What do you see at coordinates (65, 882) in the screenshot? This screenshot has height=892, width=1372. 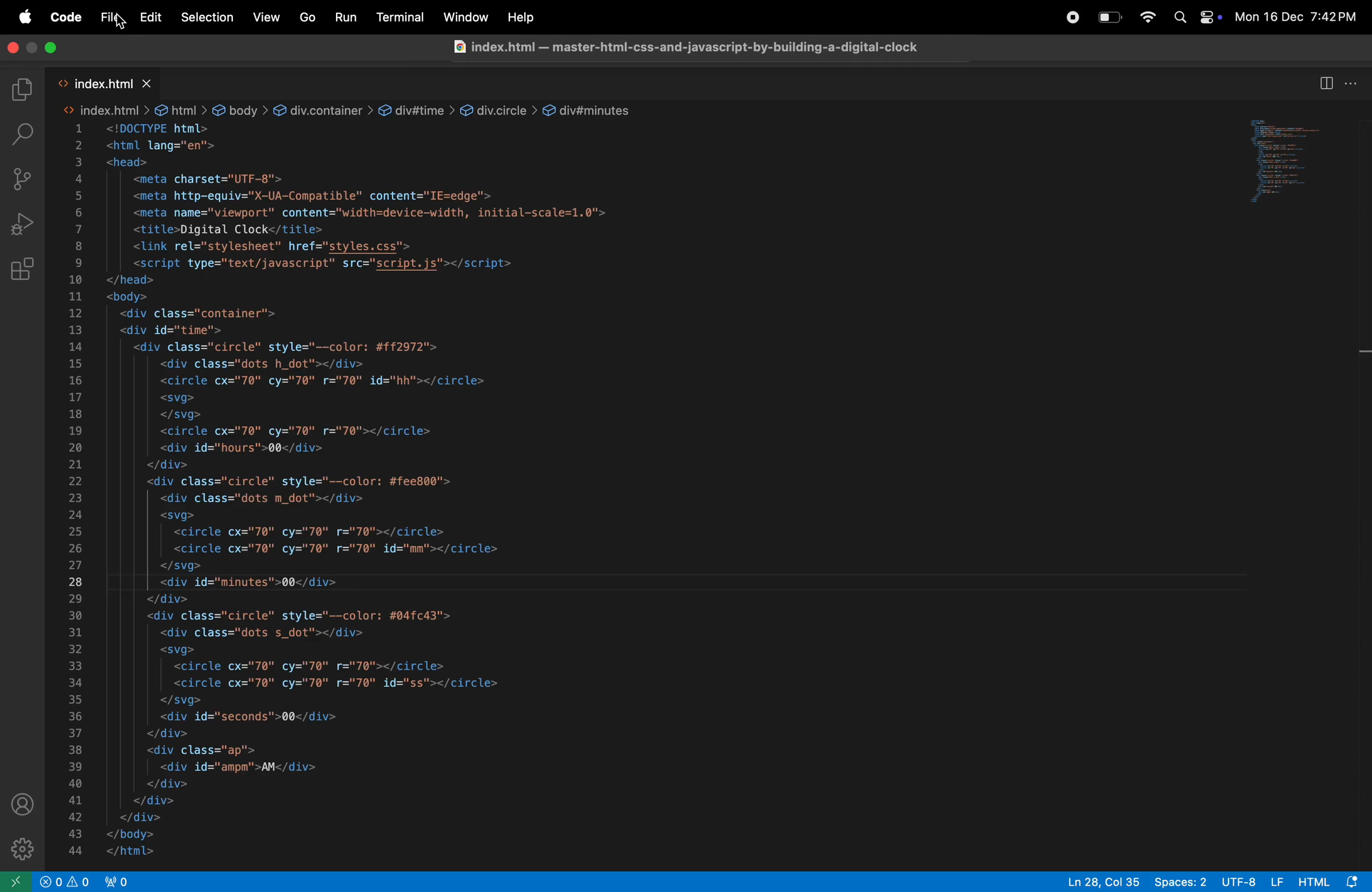 I see `problems` at bounding box center [65, 882].